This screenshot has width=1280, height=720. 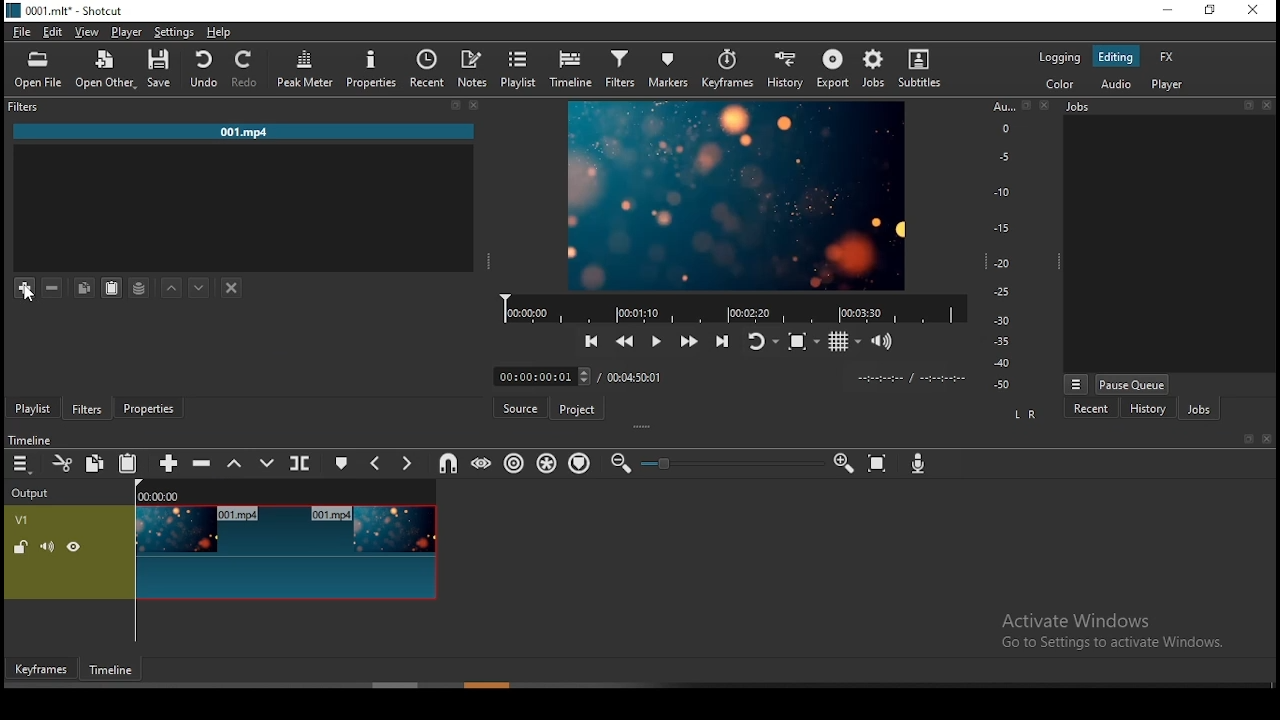 I want to click on paste filter, so click(x=111, y=288).